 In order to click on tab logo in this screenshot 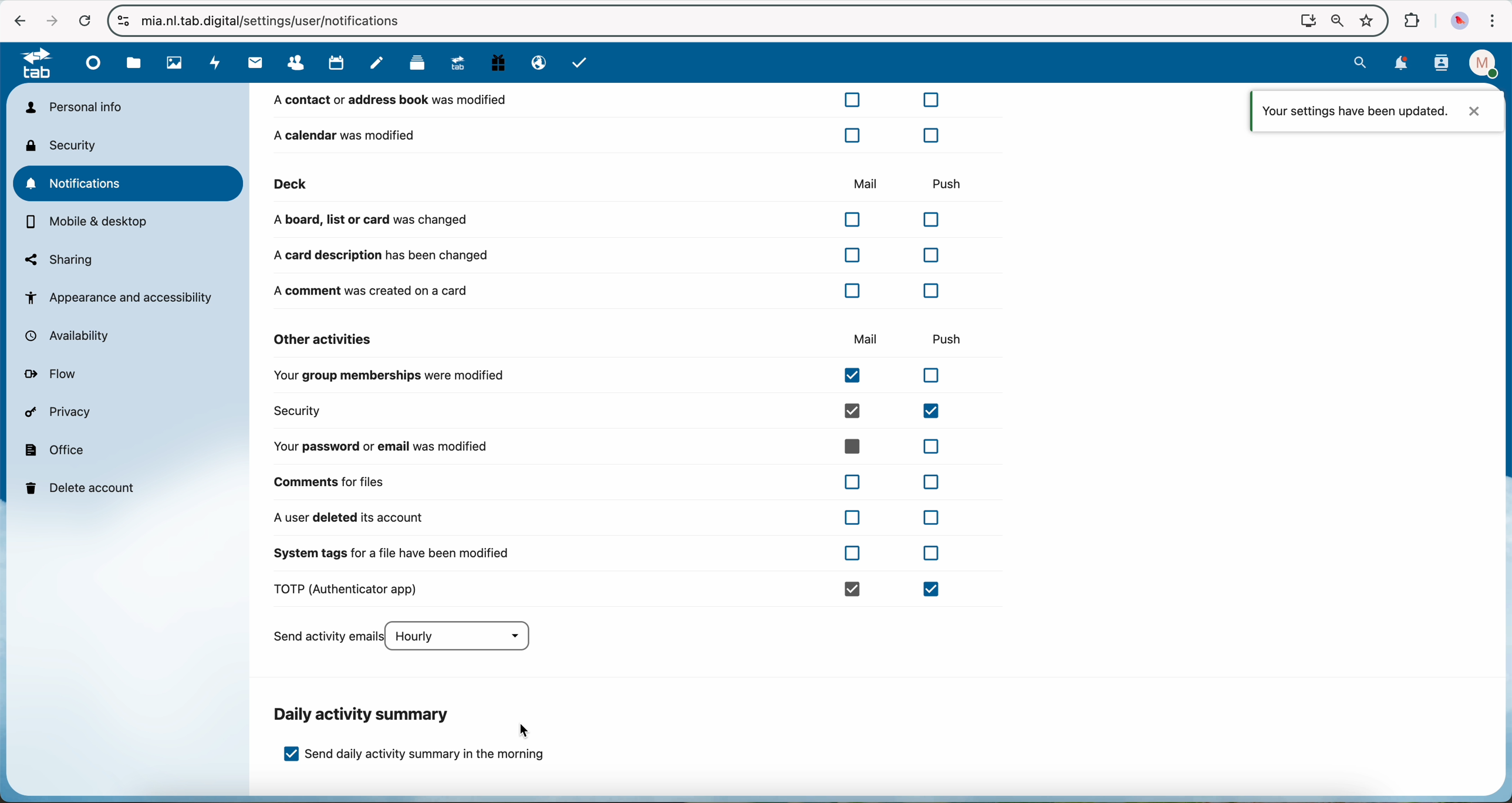, I will do `click(31, 65)`.